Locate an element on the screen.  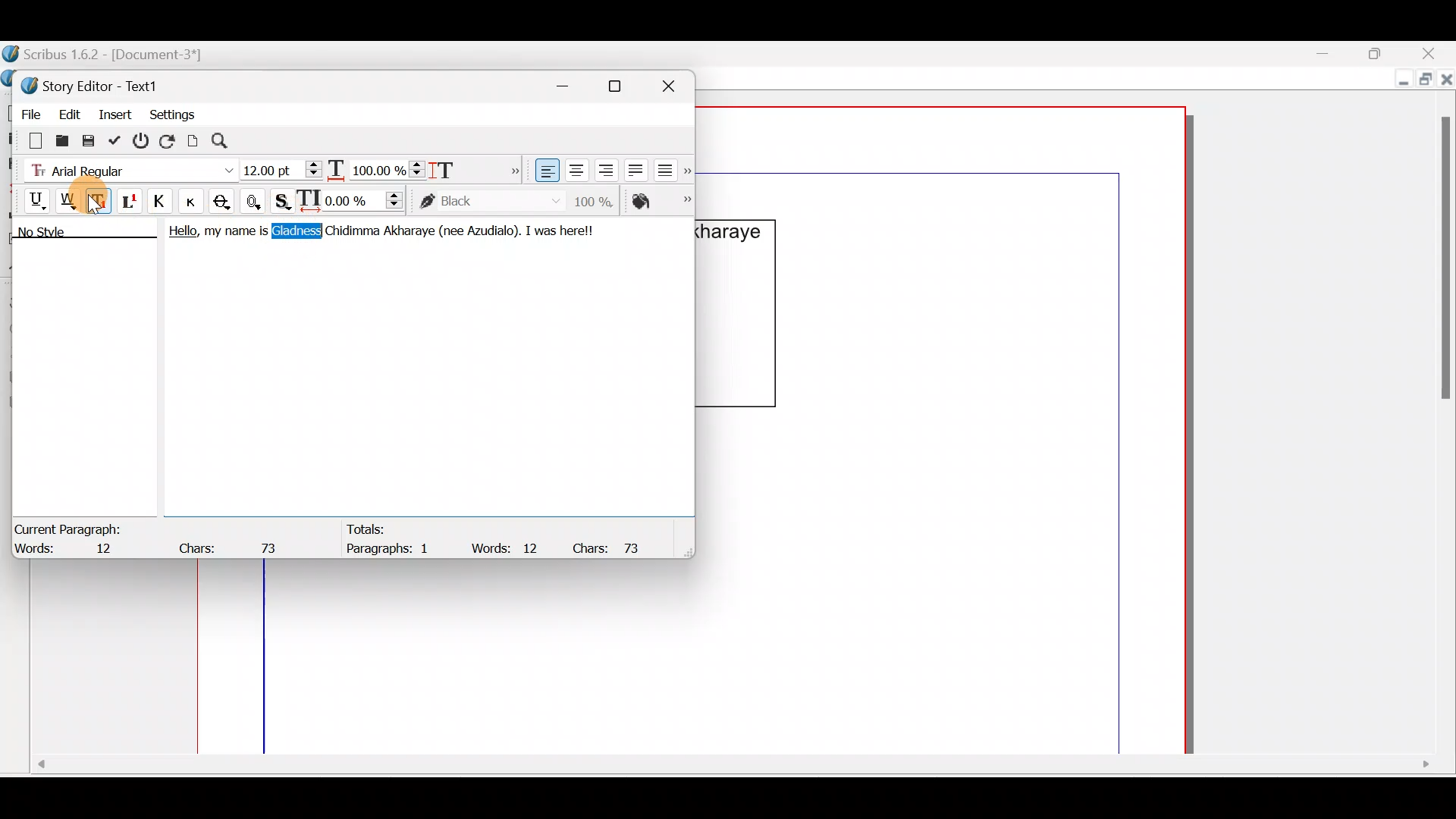
Minimize is located at coordinates (1334, 54).